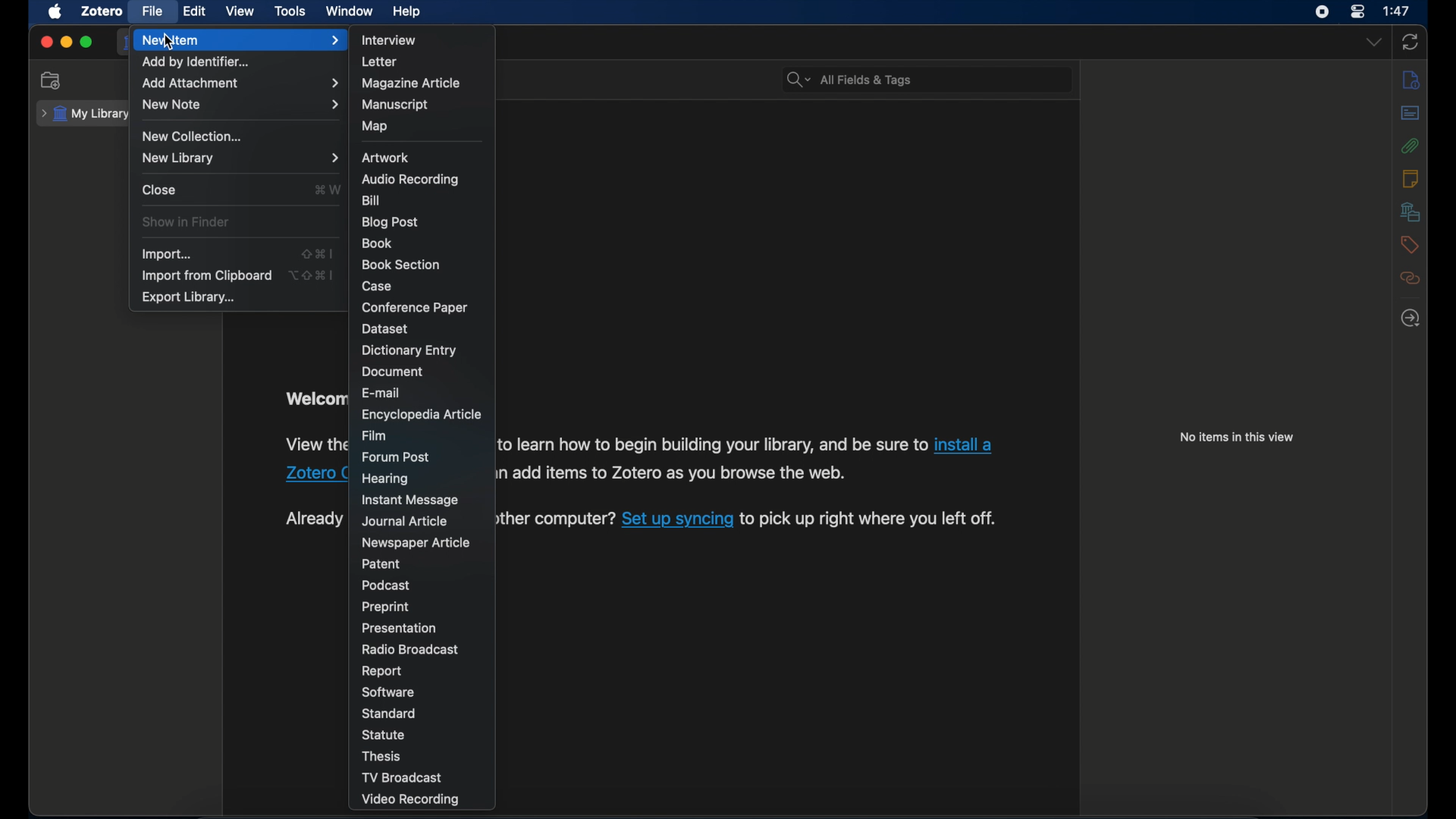 The image size is (1456, 819). Describe the element at coordinates (1410, 318) in the screenshot. I see `locate` at that location.